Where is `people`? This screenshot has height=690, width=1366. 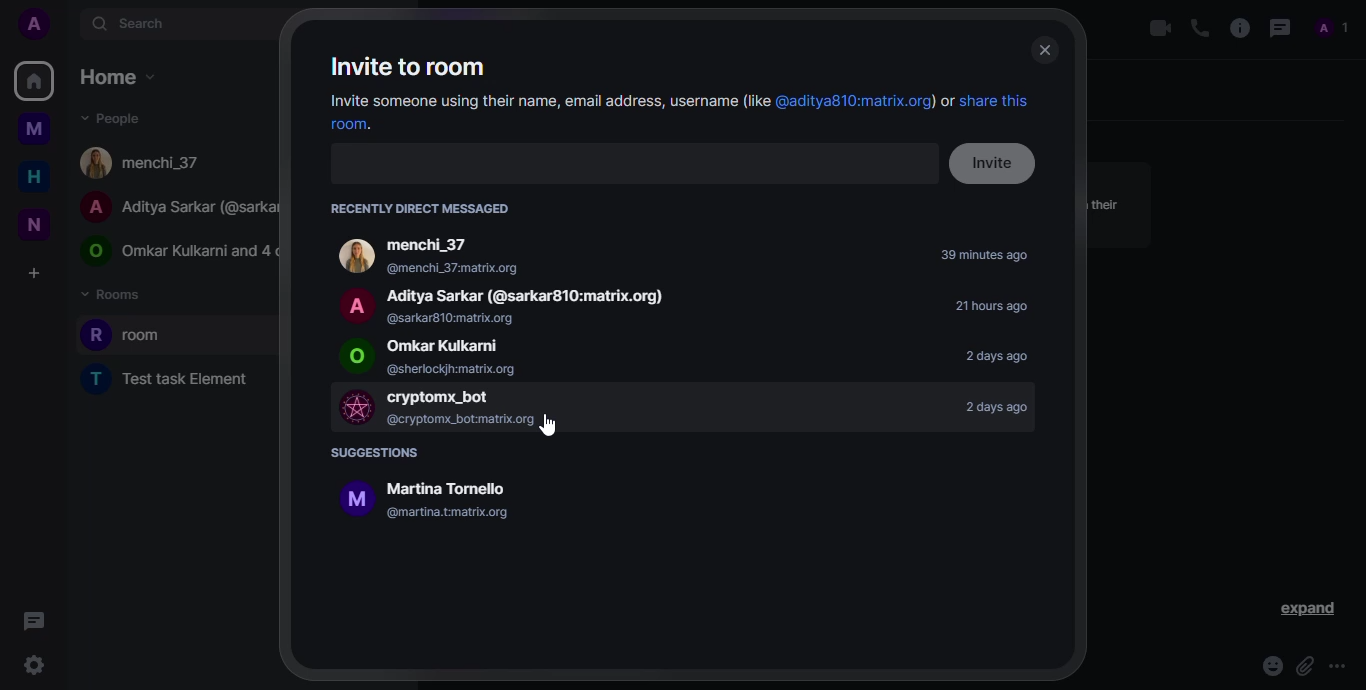
people is located at coordinates (122, 118).